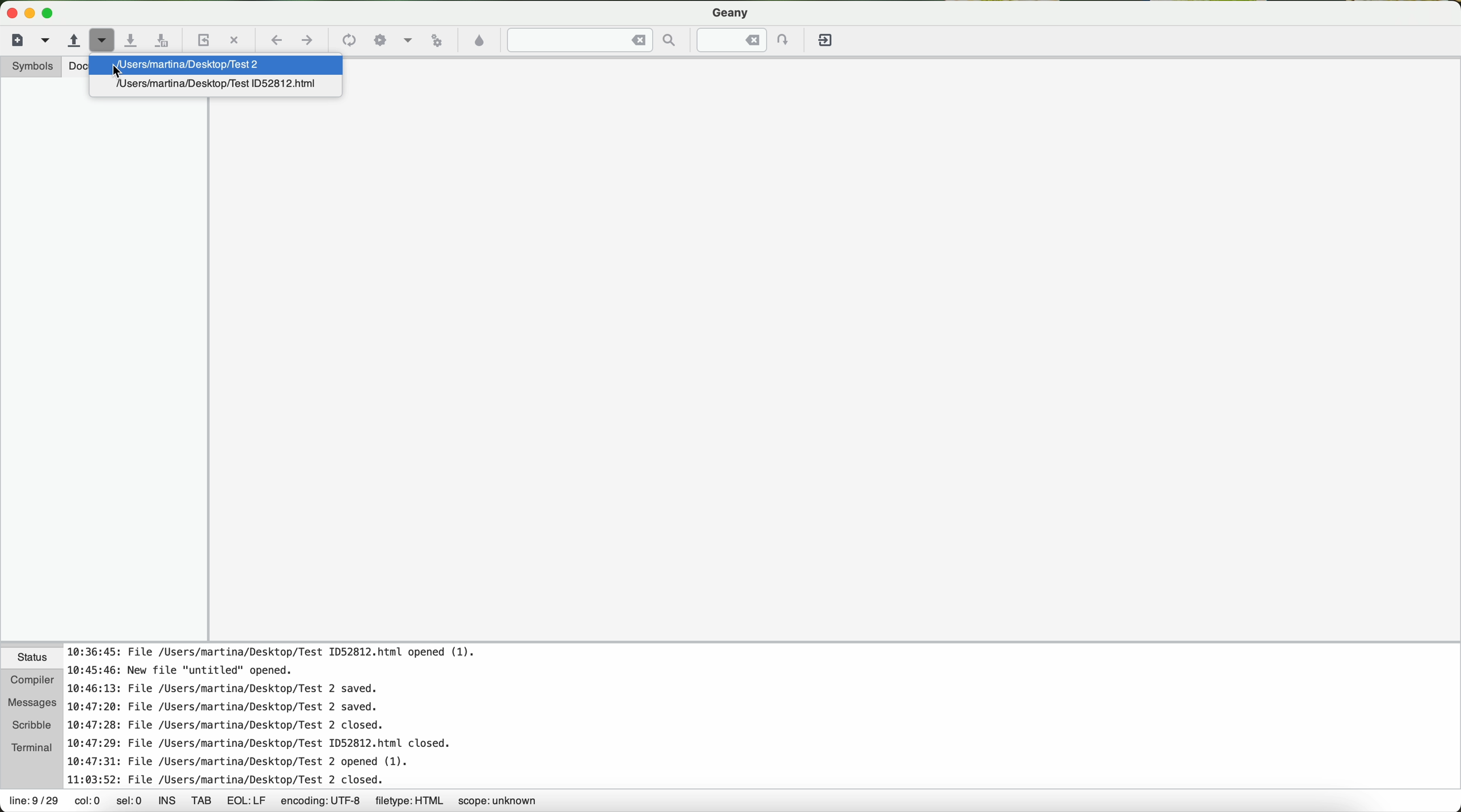  Describe the element at coordinates (221, 87) in the screenshot. I see `file` at that location.